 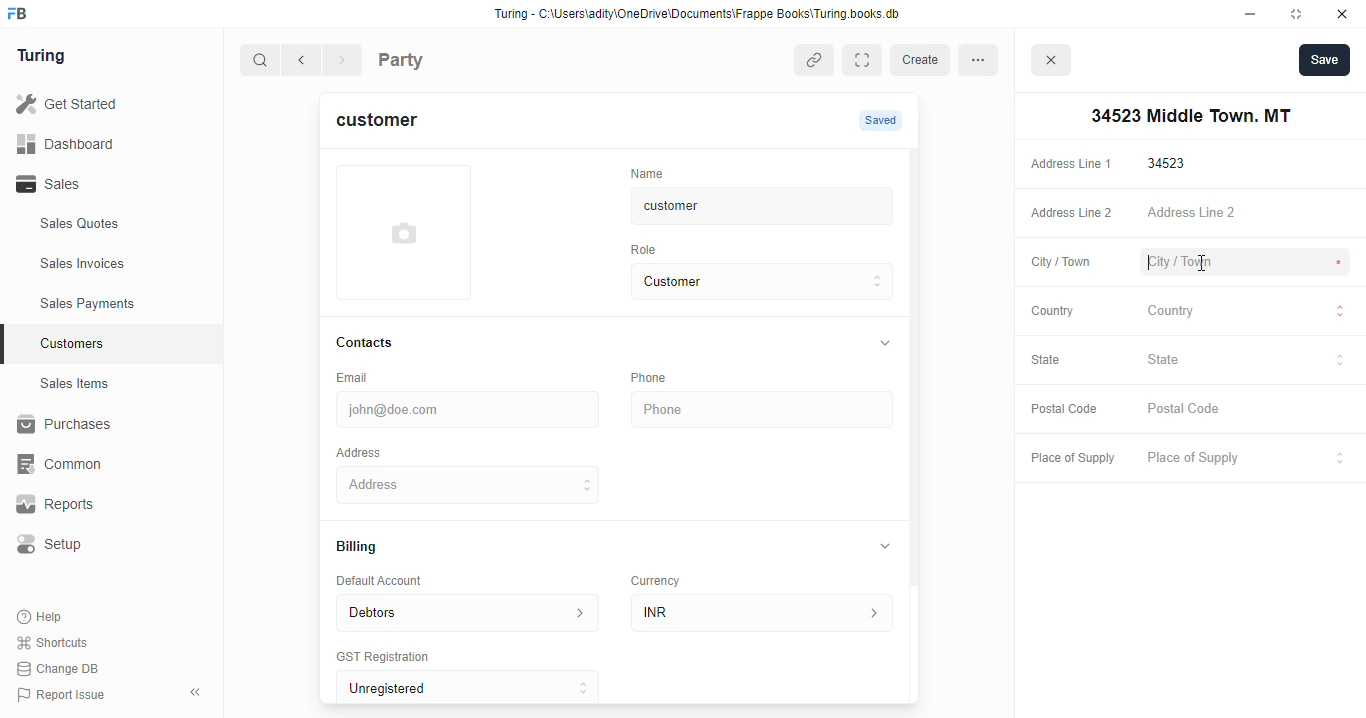 What do you see at coordinates (467, 611) in the screenshot?
I see `Debtors` at bounding box center [467, 611].